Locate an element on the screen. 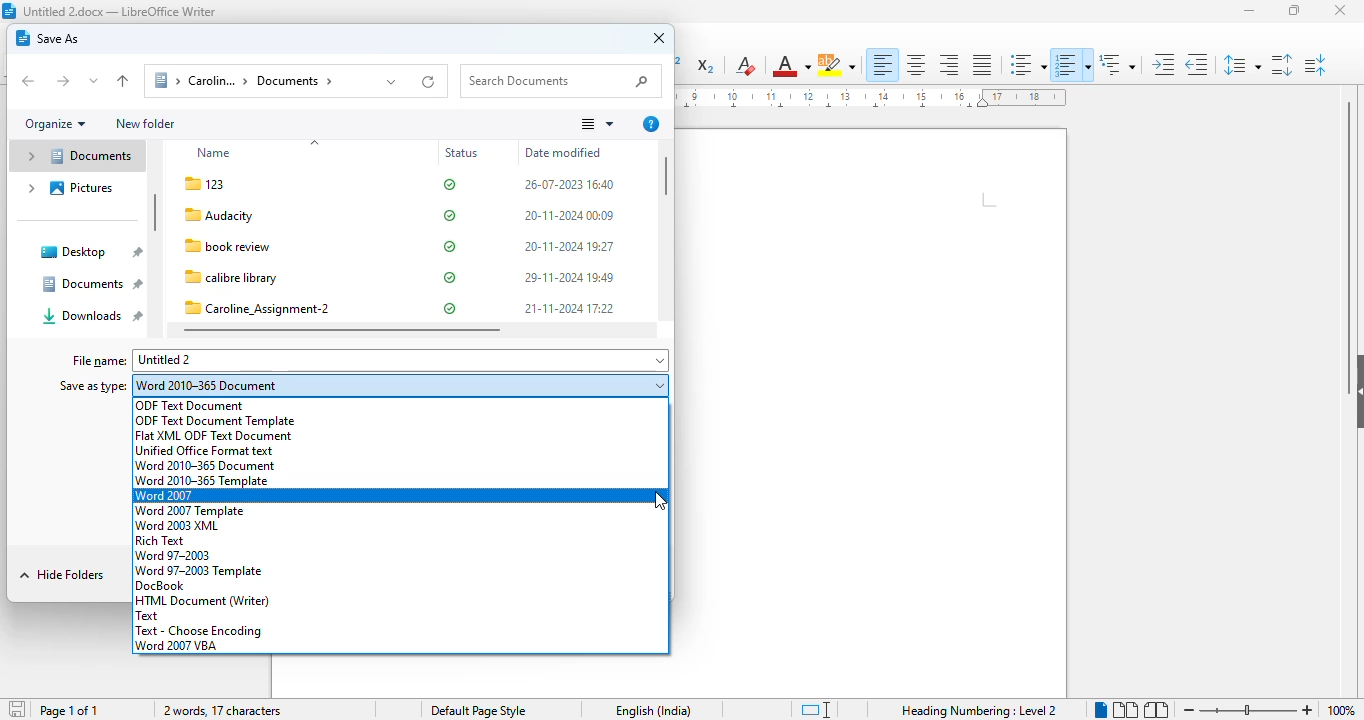 Image resolution: width=1364 pixels, height=720 pixels. save as is located at coordinates (48, 38).